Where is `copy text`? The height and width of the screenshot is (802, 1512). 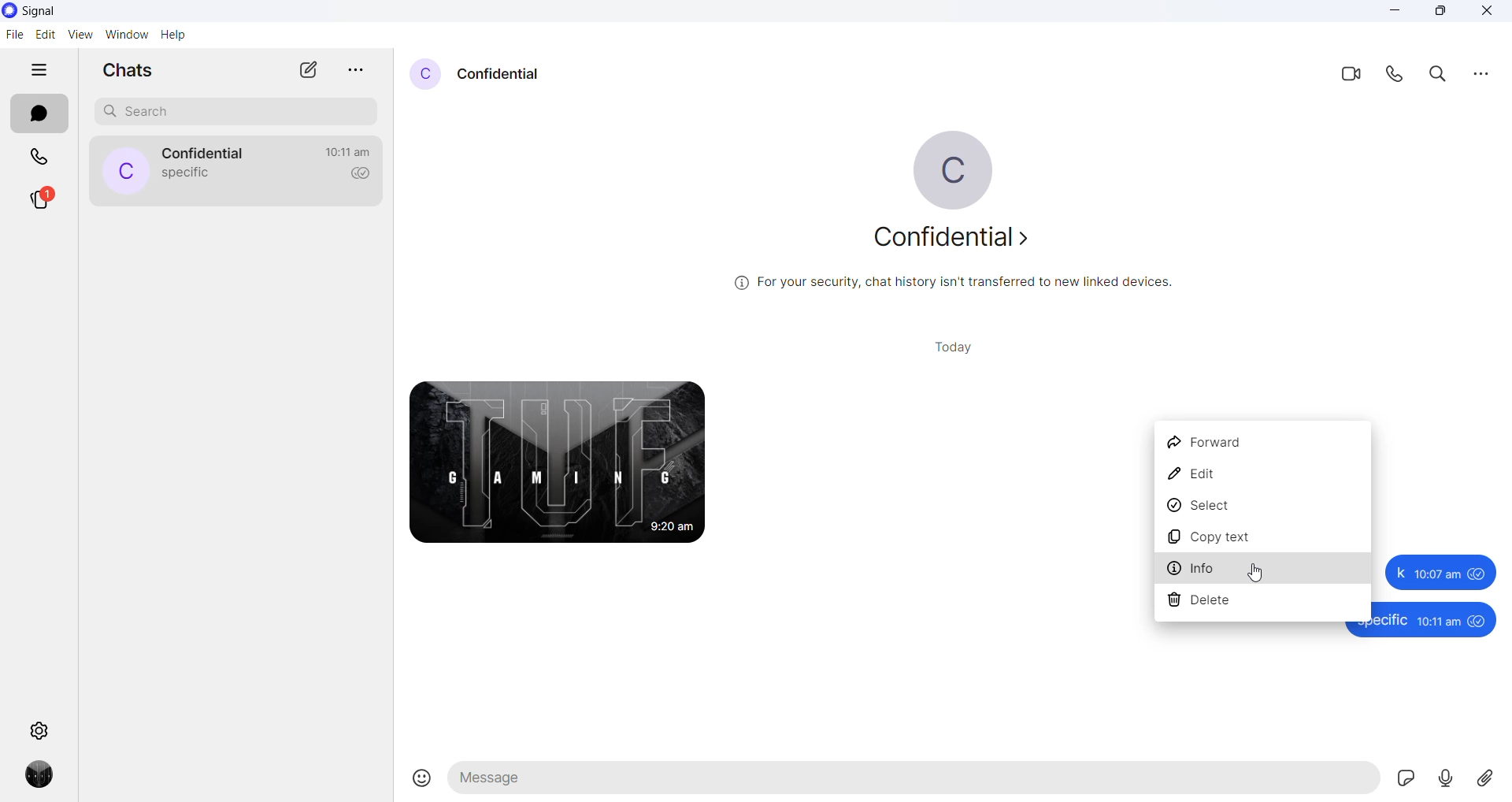
copy text is located at coordinates (1262, 540).